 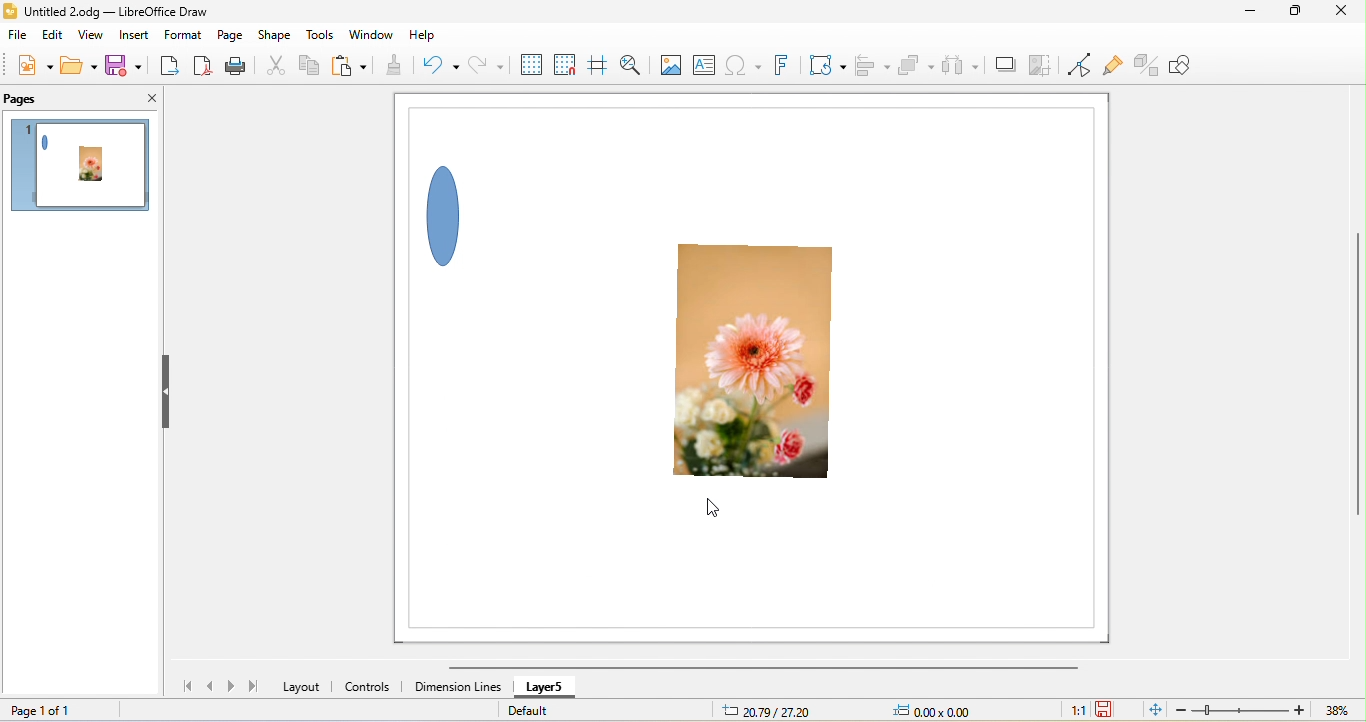 I want to click on zoom factor, so click(x=1337, y=710).